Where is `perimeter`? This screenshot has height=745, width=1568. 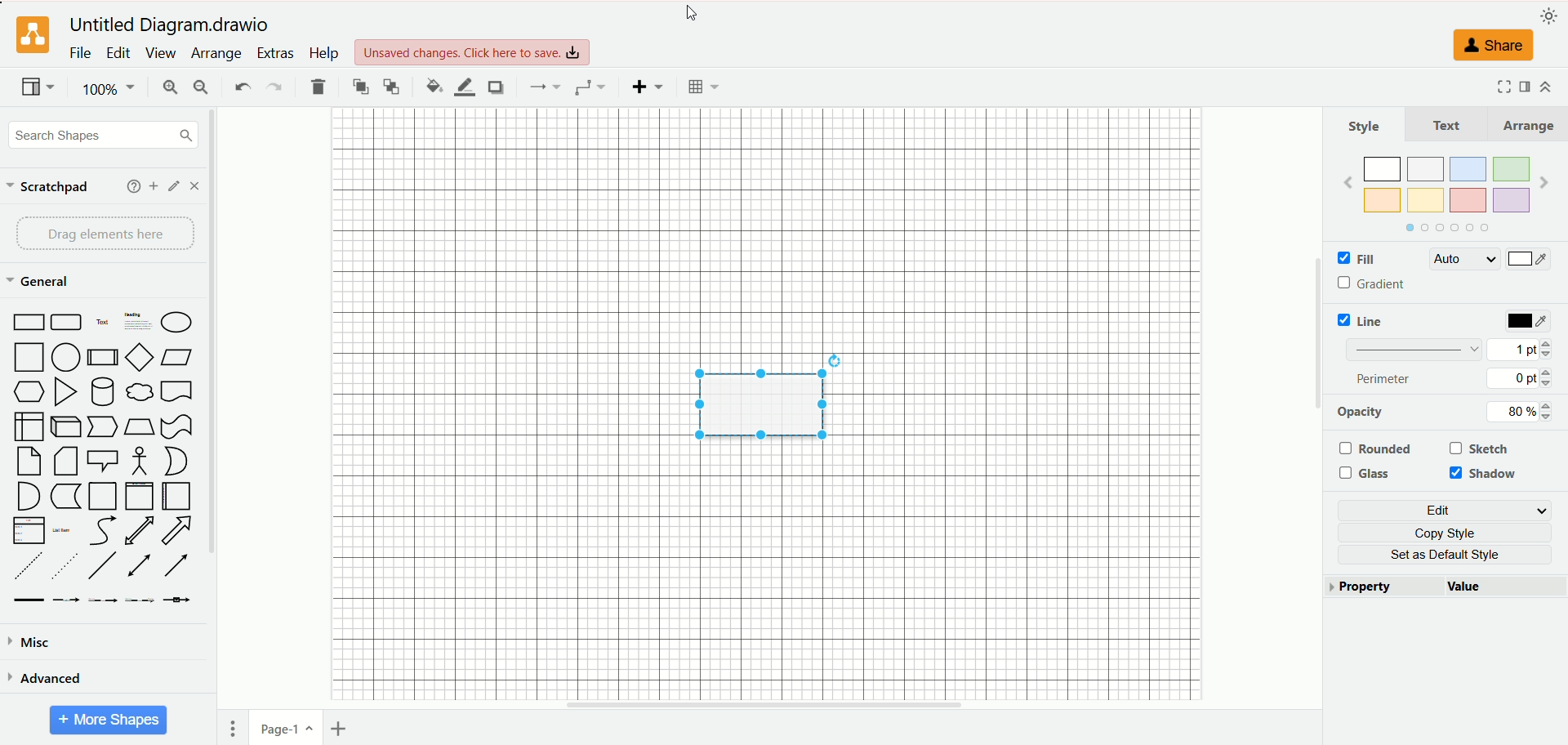
perimeter is located at coordinates (1385, 378).